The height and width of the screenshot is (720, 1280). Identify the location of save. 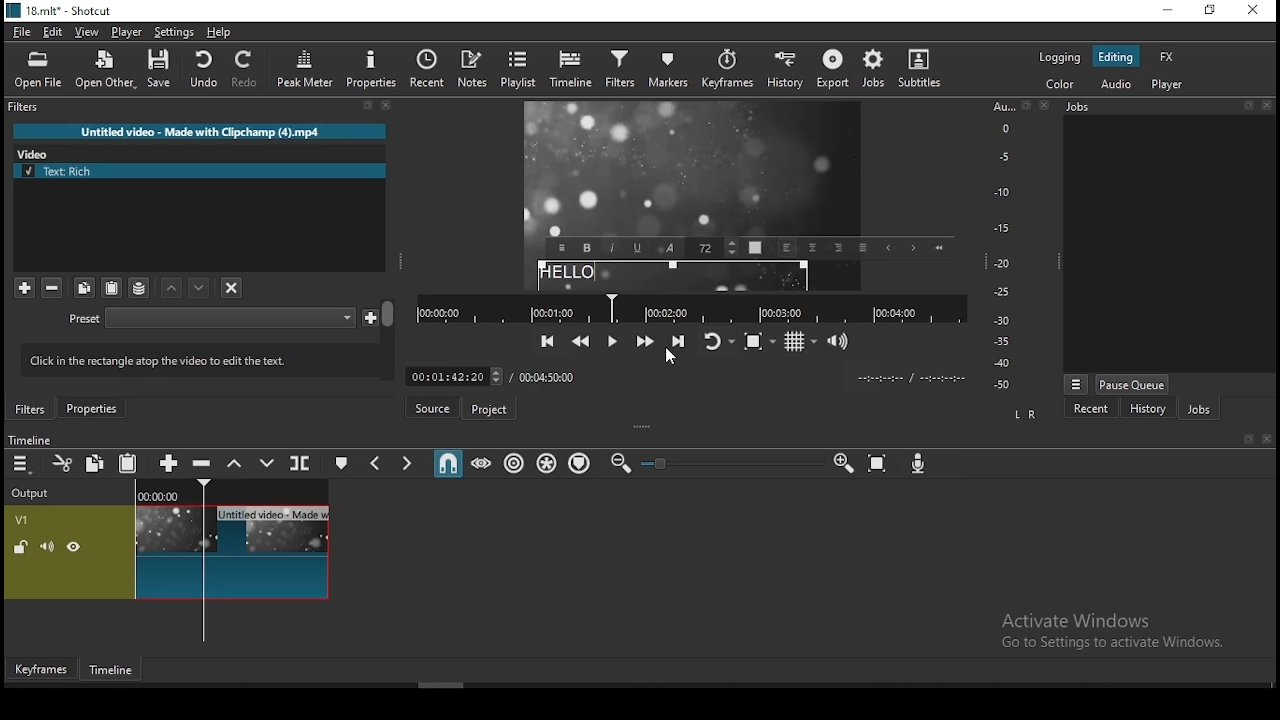
(159, 68).